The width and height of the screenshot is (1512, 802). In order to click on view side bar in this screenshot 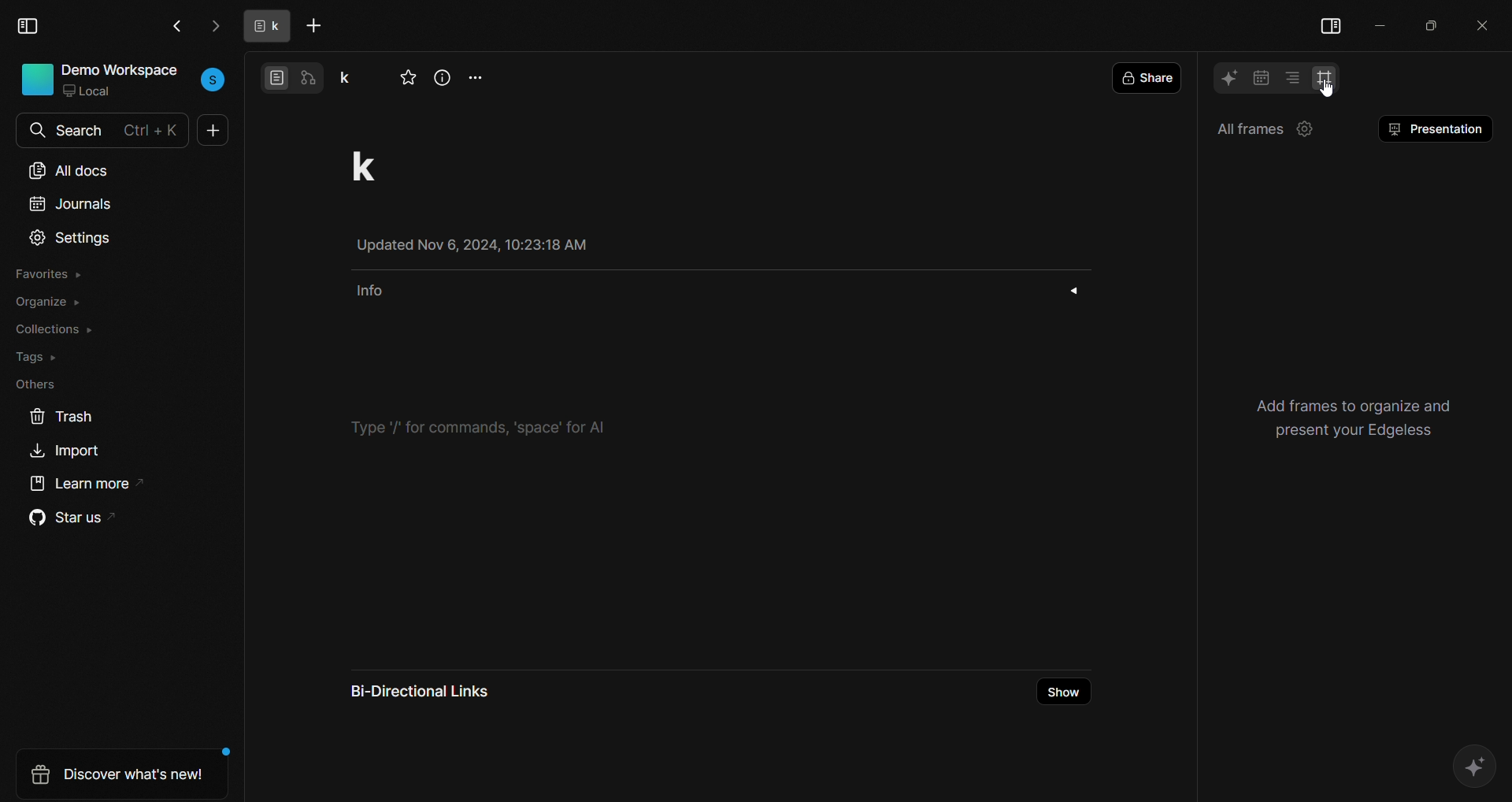, I will do `click(1331, 22)`.